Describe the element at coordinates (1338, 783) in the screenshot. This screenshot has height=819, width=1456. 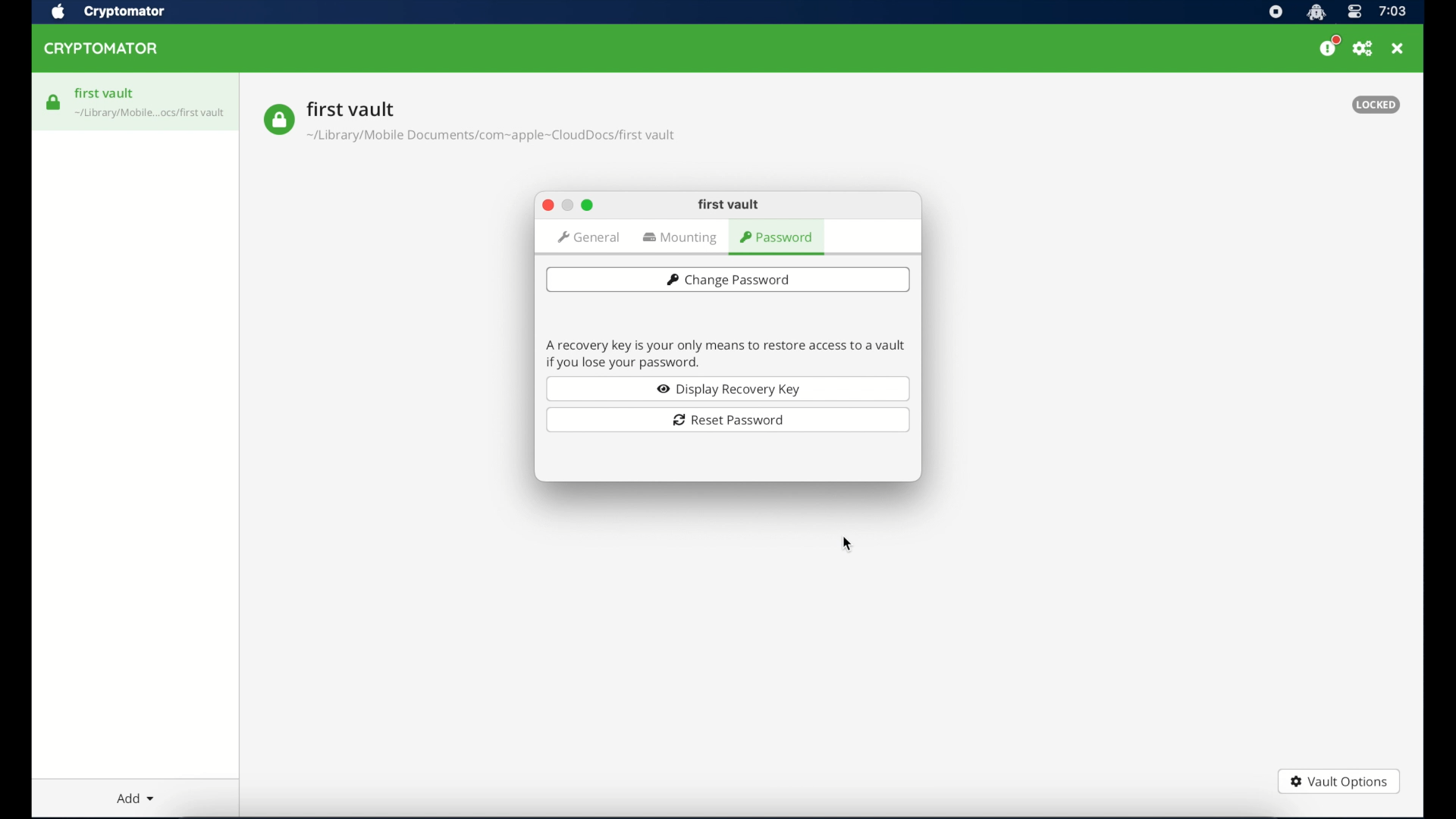
I see `vault options` at that location.